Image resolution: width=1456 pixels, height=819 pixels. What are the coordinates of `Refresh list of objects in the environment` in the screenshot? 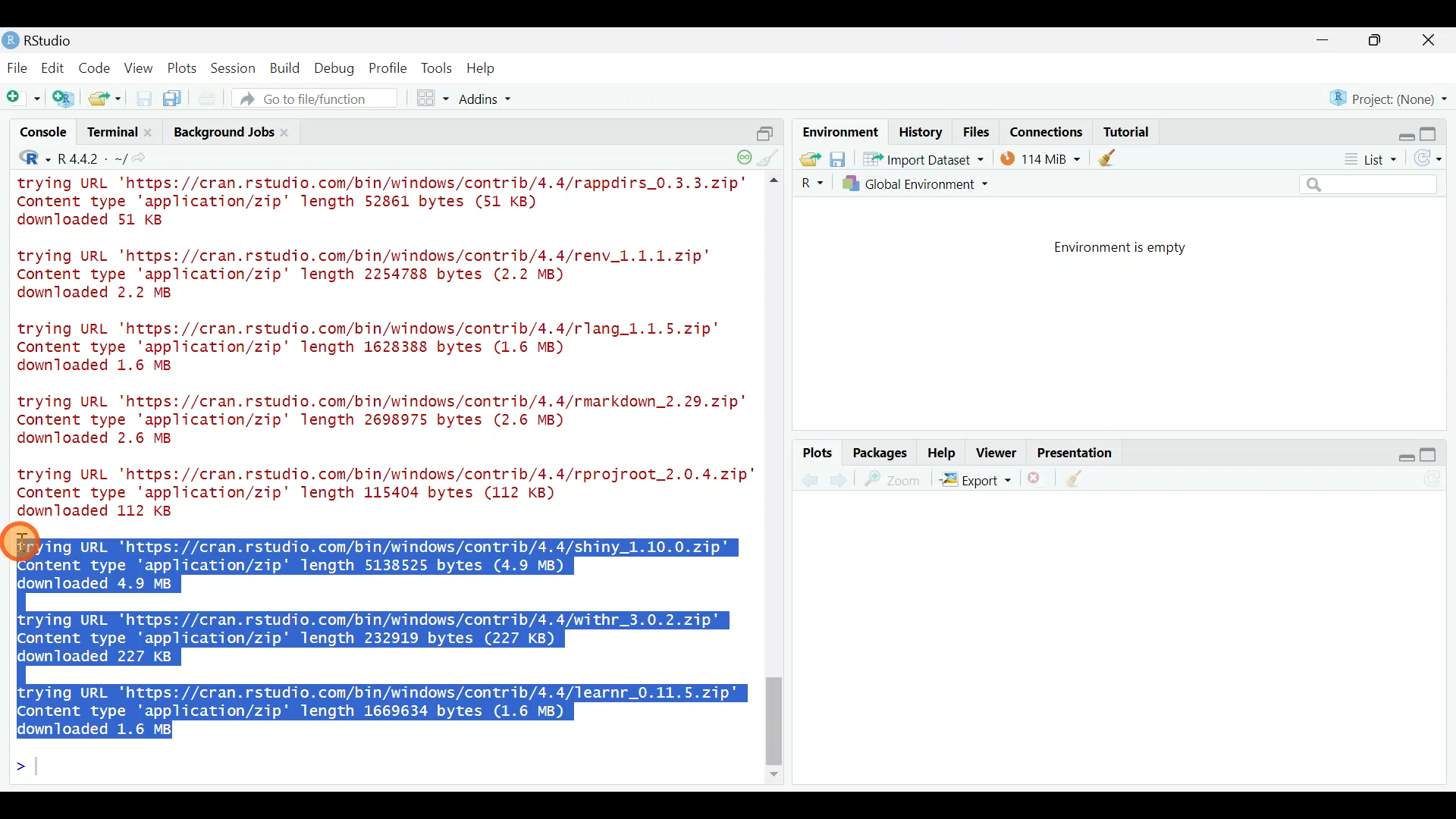 It's located at (1433, 160).